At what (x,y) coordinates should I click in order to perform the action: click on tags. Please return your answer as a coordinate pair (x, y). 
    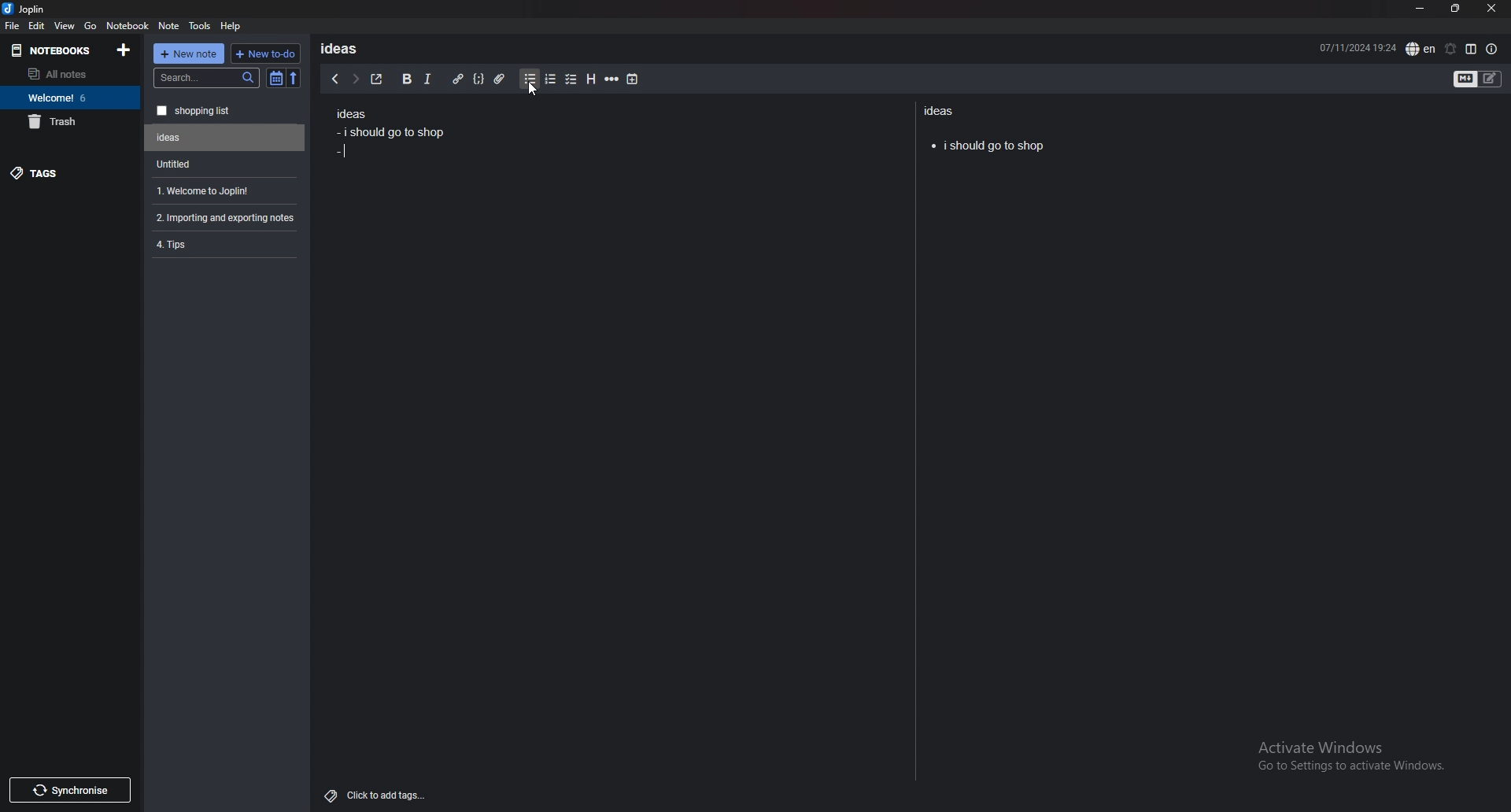
    Looking at the image, I should click on (71, 172).